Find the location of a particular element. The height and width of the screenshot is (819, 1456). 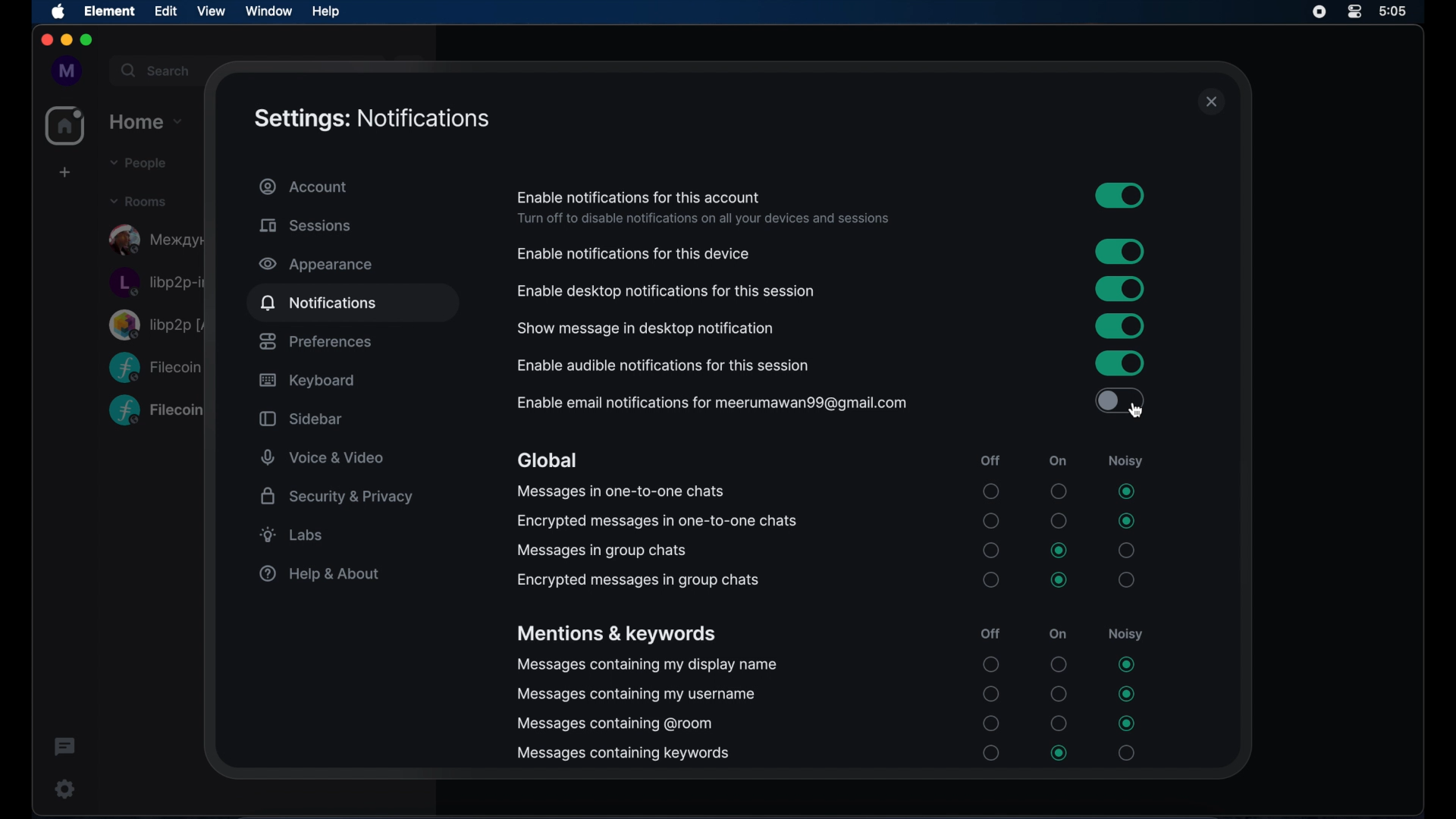

messages containing my display name is located at coordinates (647, 666).